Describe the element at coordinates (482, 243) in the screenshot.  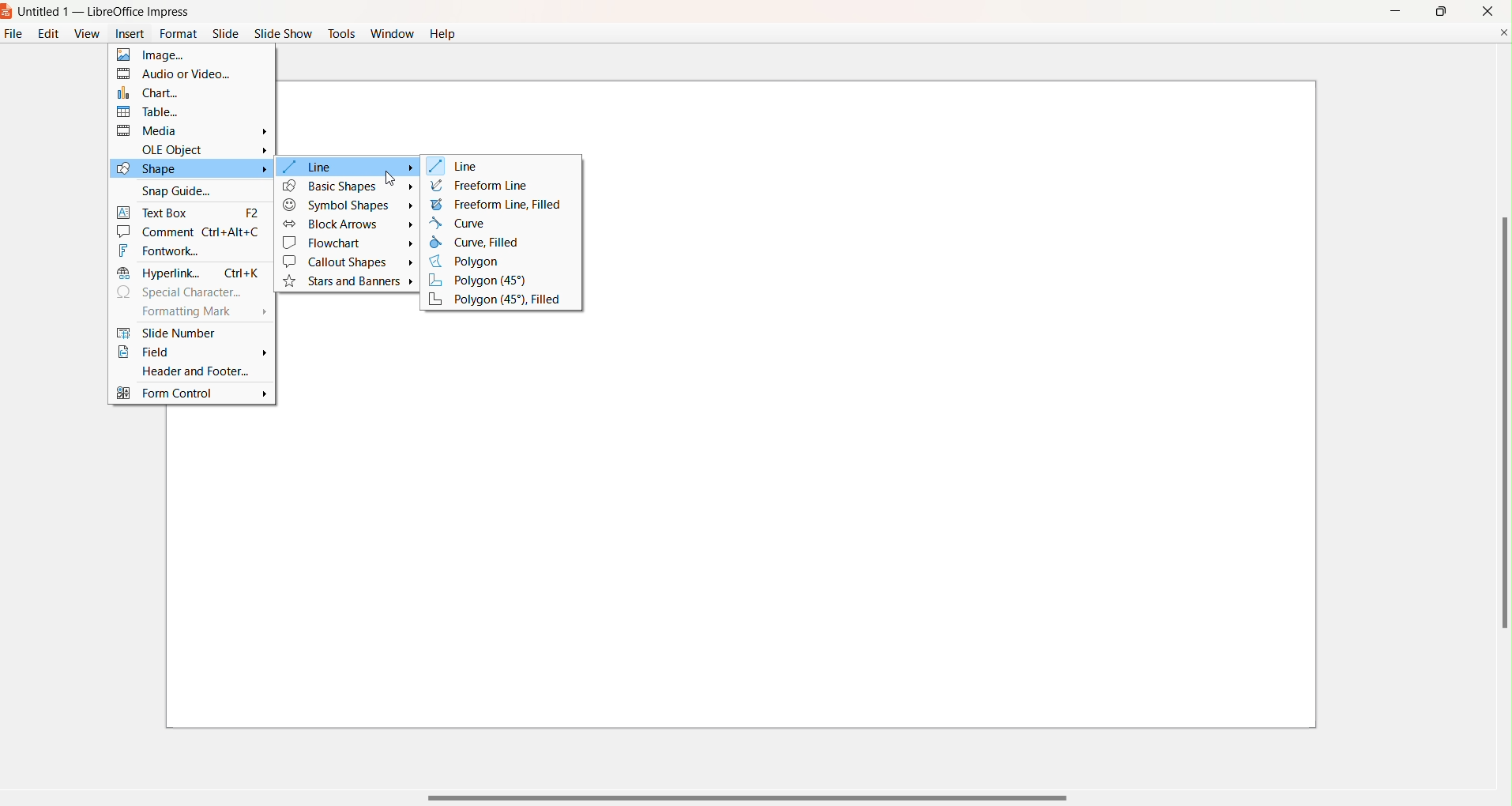
I see `Curve Filled` at that location.